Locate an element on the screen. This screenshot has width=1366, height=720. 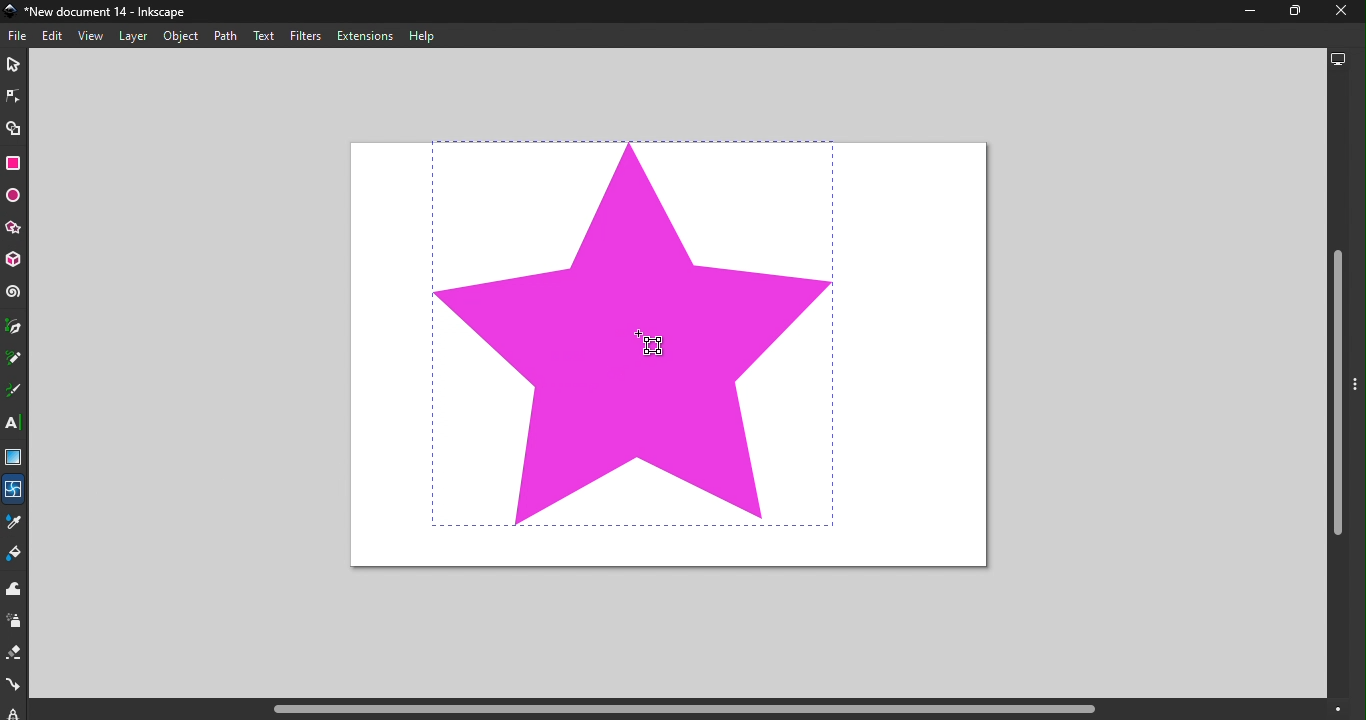
Text is located at coordinates (263, 35).